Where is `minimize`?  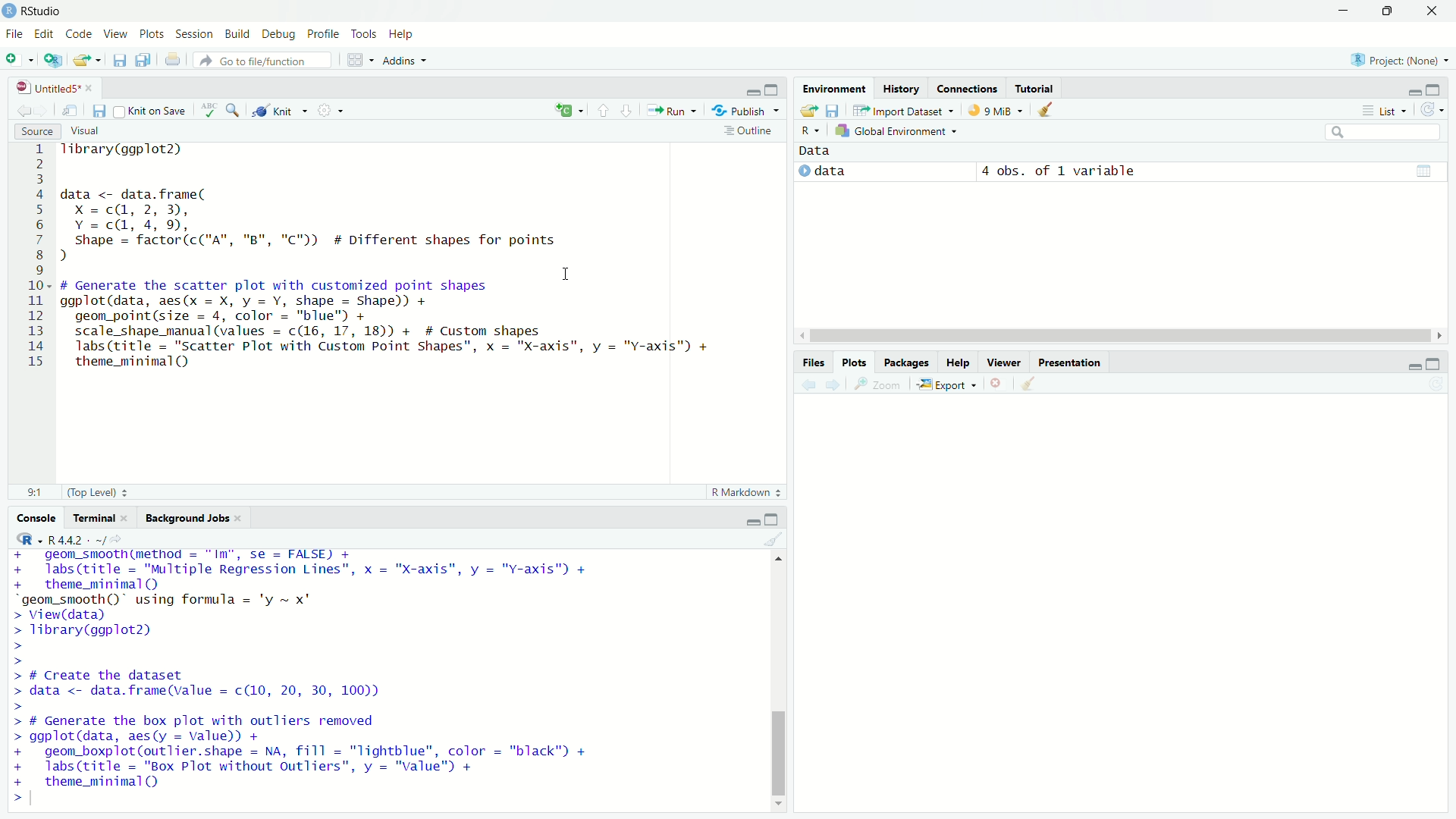
minimize is located at coordinates (1345, 11).